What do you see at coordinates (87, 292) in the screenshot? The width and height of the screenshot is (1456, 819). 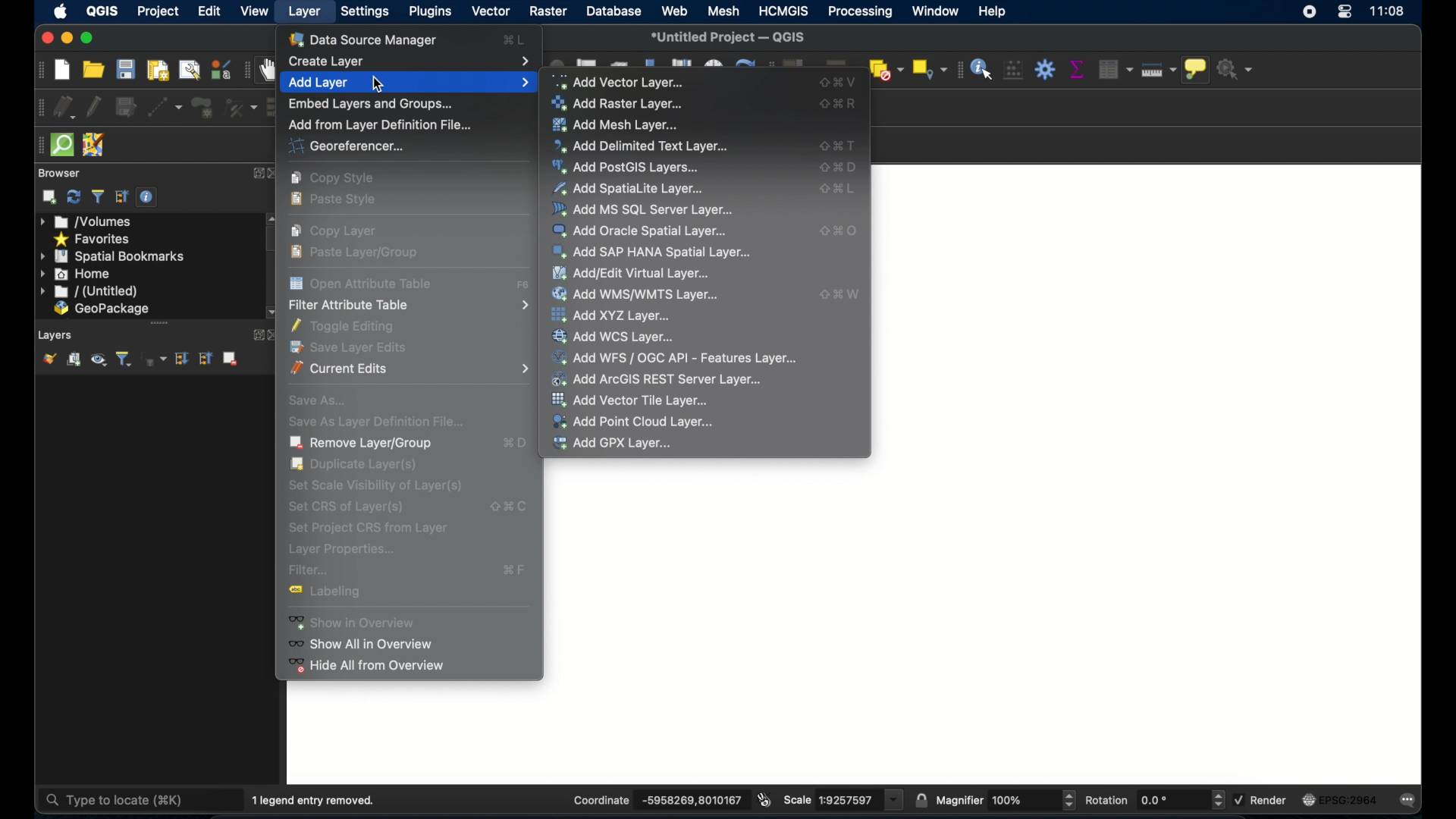 I see `untitled` at bounding box center [87, 292].